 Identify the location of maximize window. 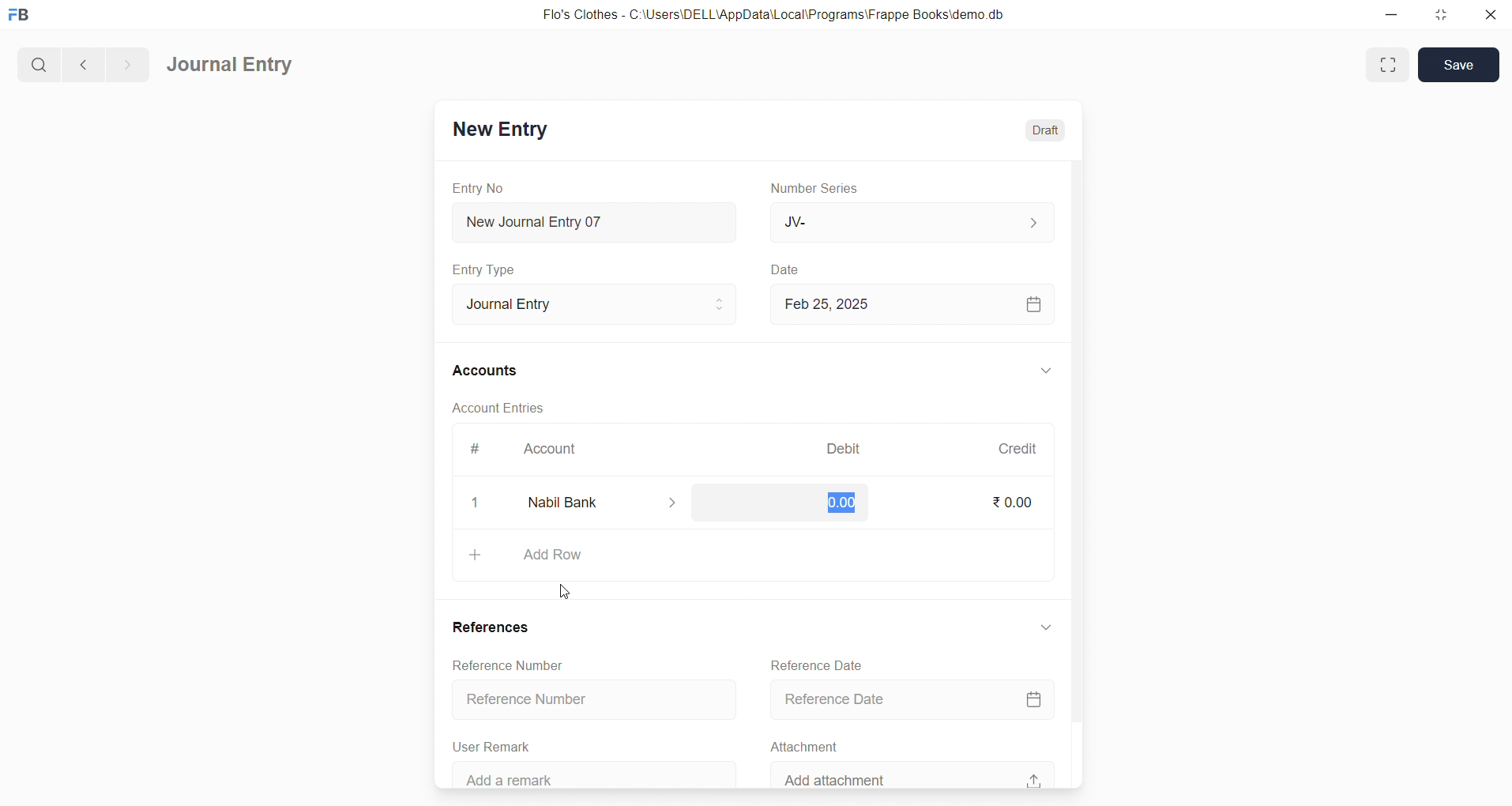
(1390, 65).